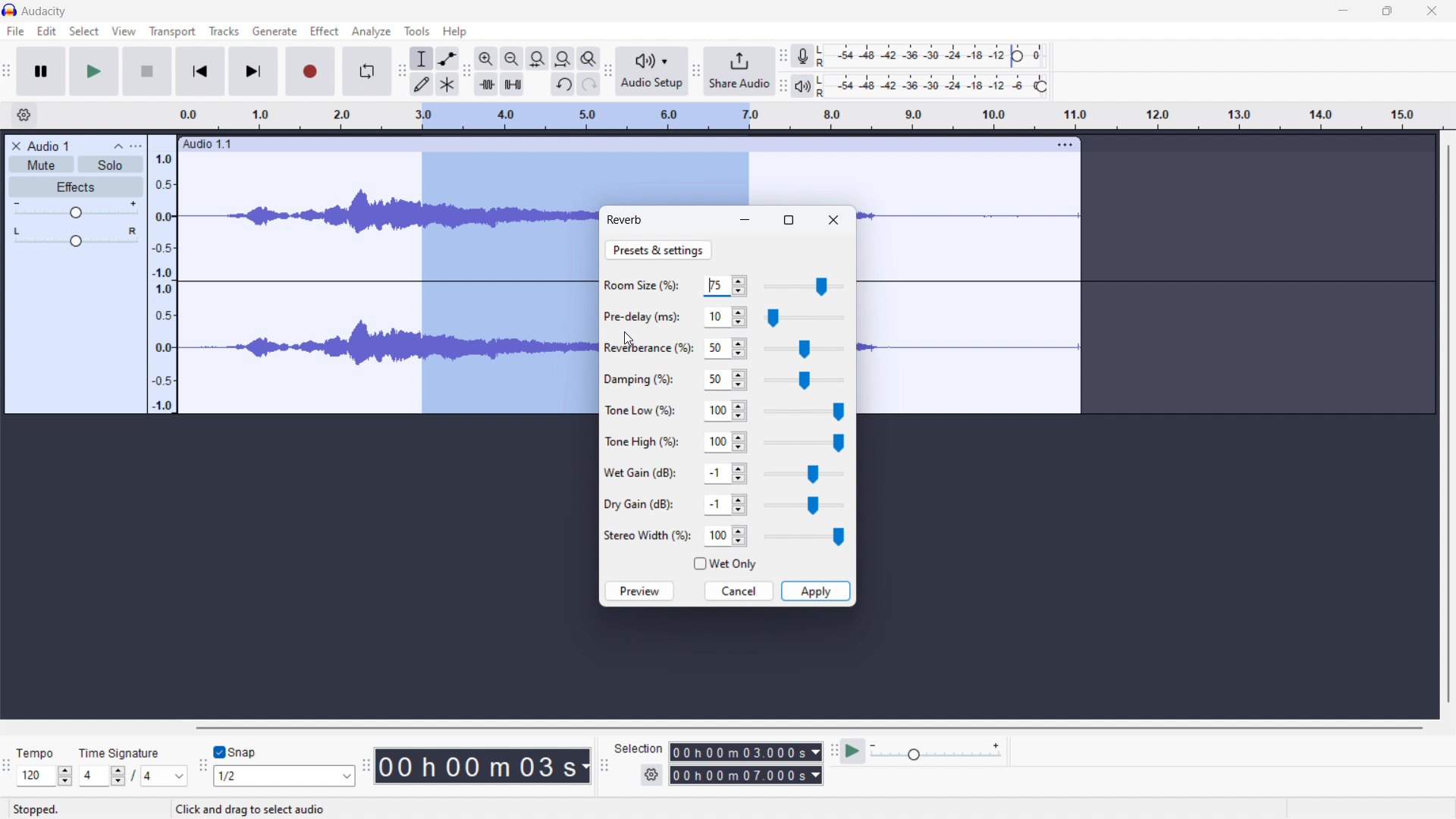 The image size is (1456, 819). What do you see at coordinates (563, 83) in the screenshot?
I see `undo` at bounding box center [563, 83].